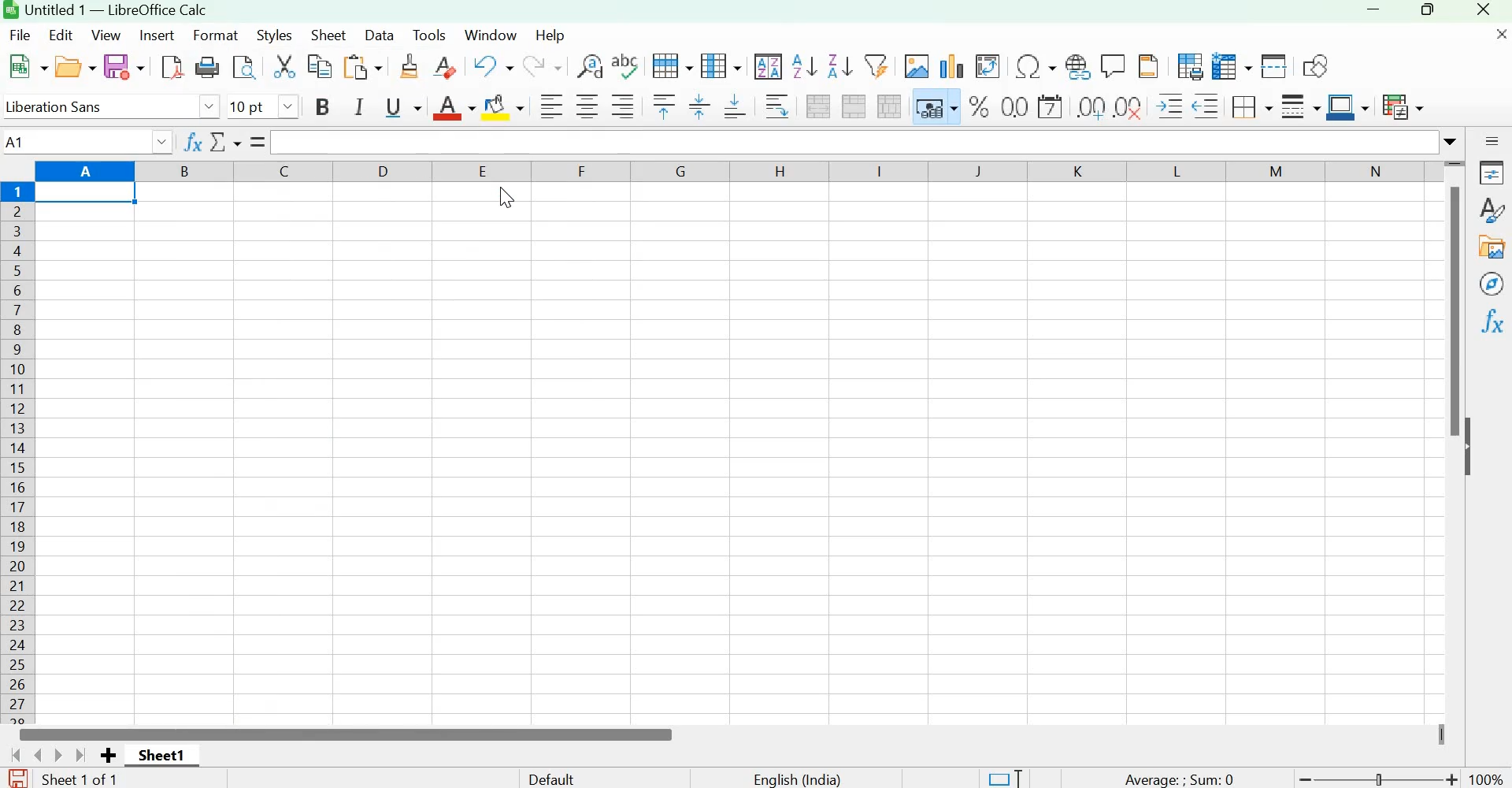 The width and height of the screenshot is (1512, 788). I want to click on New, so click(28, 67).